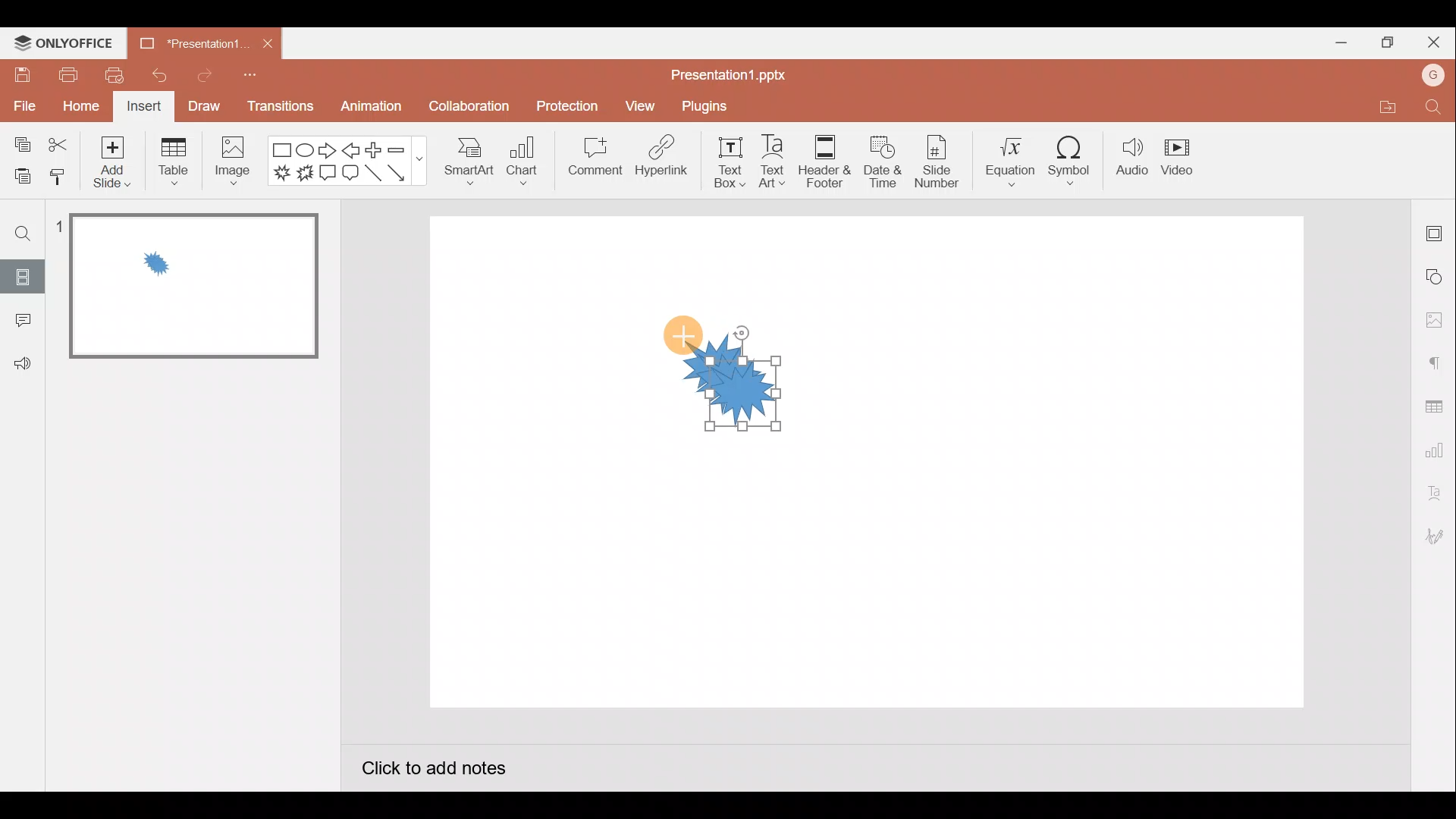 The height and width of the screenshot is (819, 1456). What do you see at coordinates (639, 105) in the screenshot?
I see `View` at bounding box center [639, 105].